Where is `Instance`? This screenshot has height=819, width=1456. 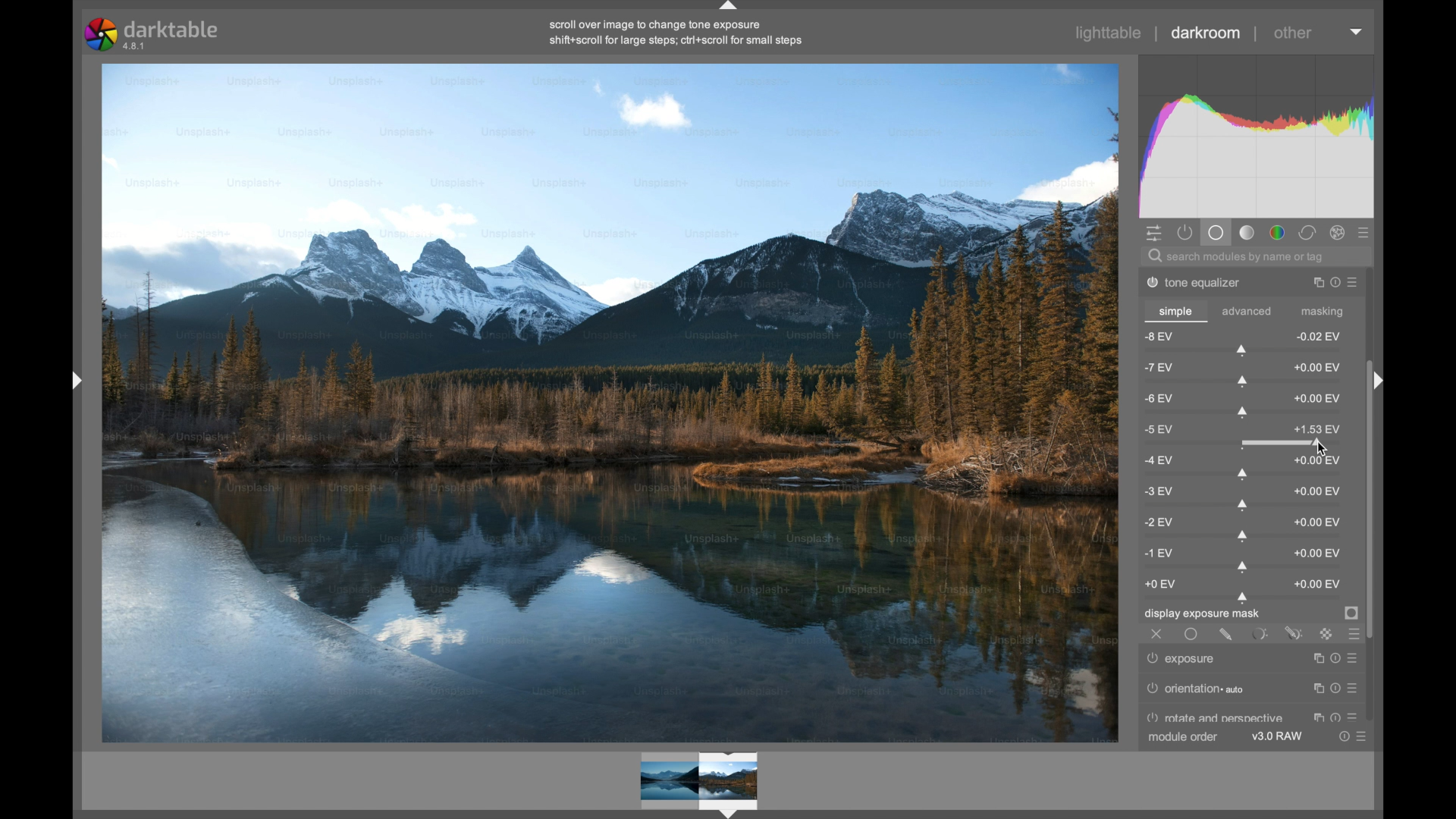
Instance is located at coordinates (1316, 674).